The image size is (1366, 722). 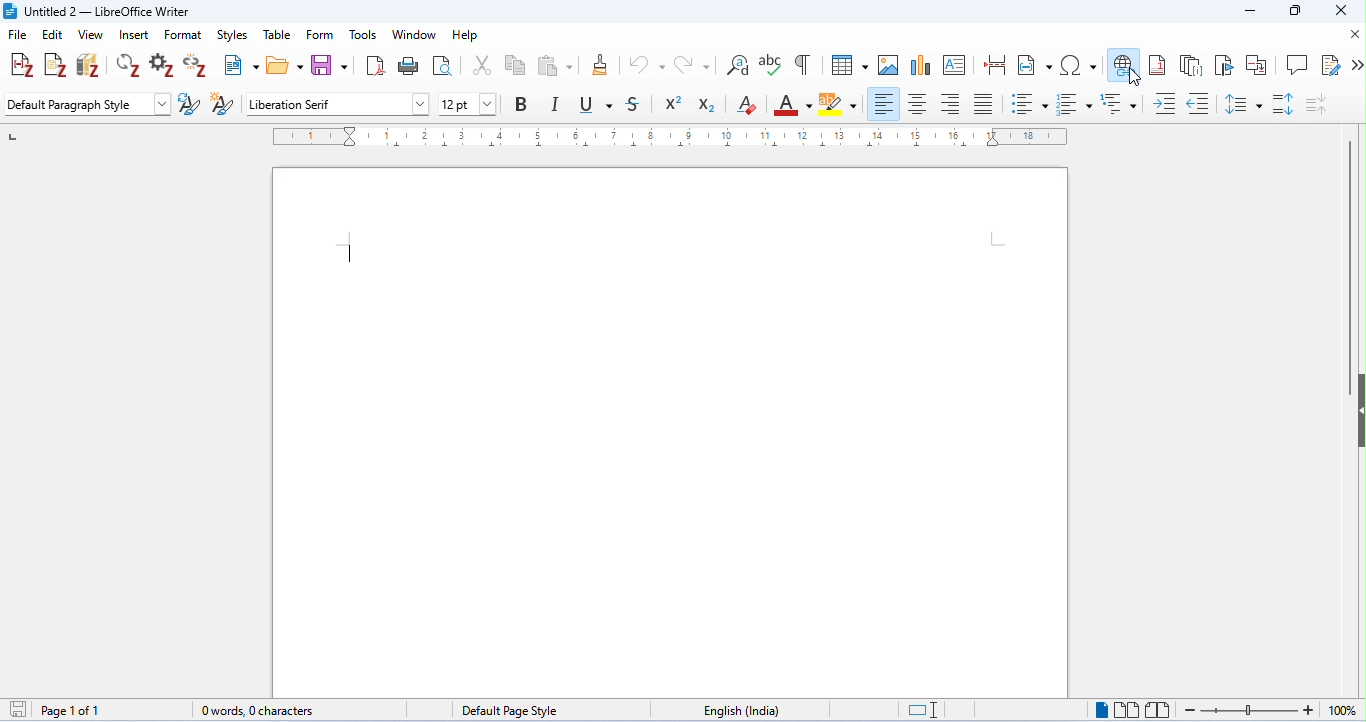 I want to click on new, so click(x=239, y=65).